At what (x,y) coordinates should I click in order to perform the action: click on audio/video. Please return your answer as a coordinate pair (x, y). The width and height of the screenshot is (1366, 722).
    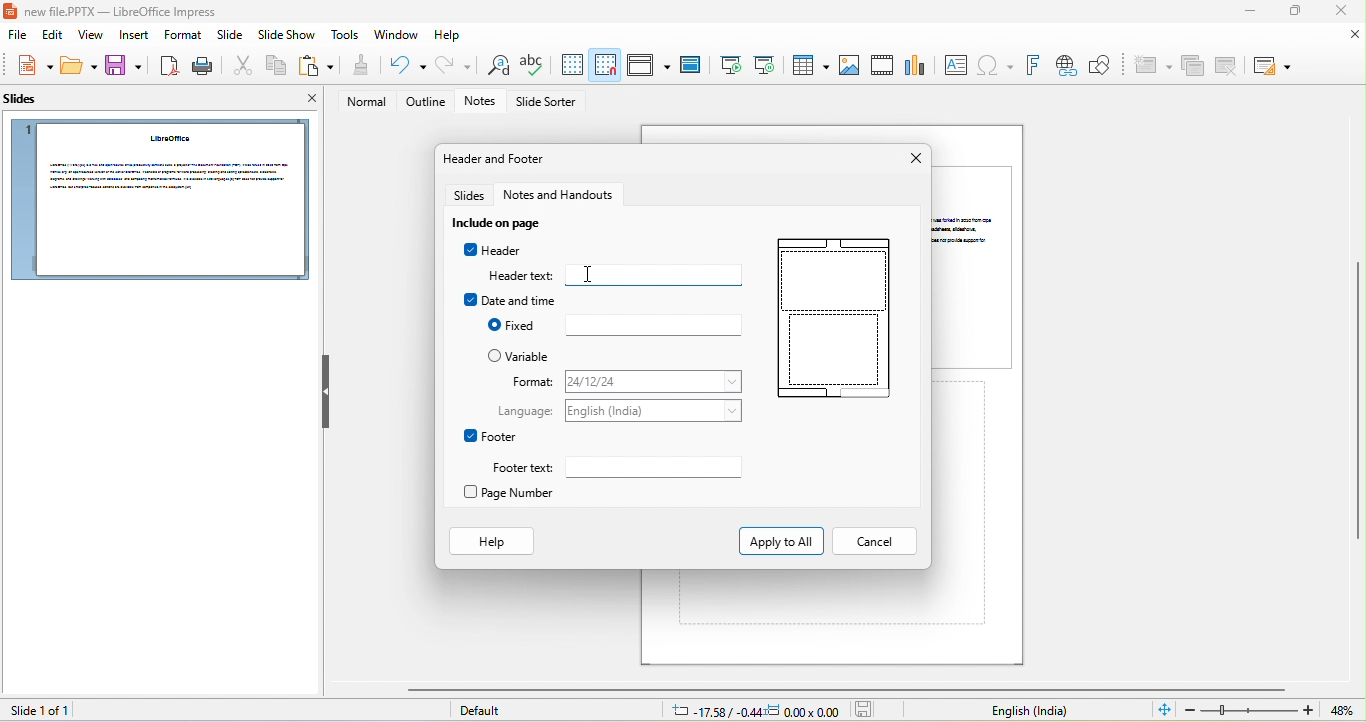
    Looking at the image, I should click on (884, 65).